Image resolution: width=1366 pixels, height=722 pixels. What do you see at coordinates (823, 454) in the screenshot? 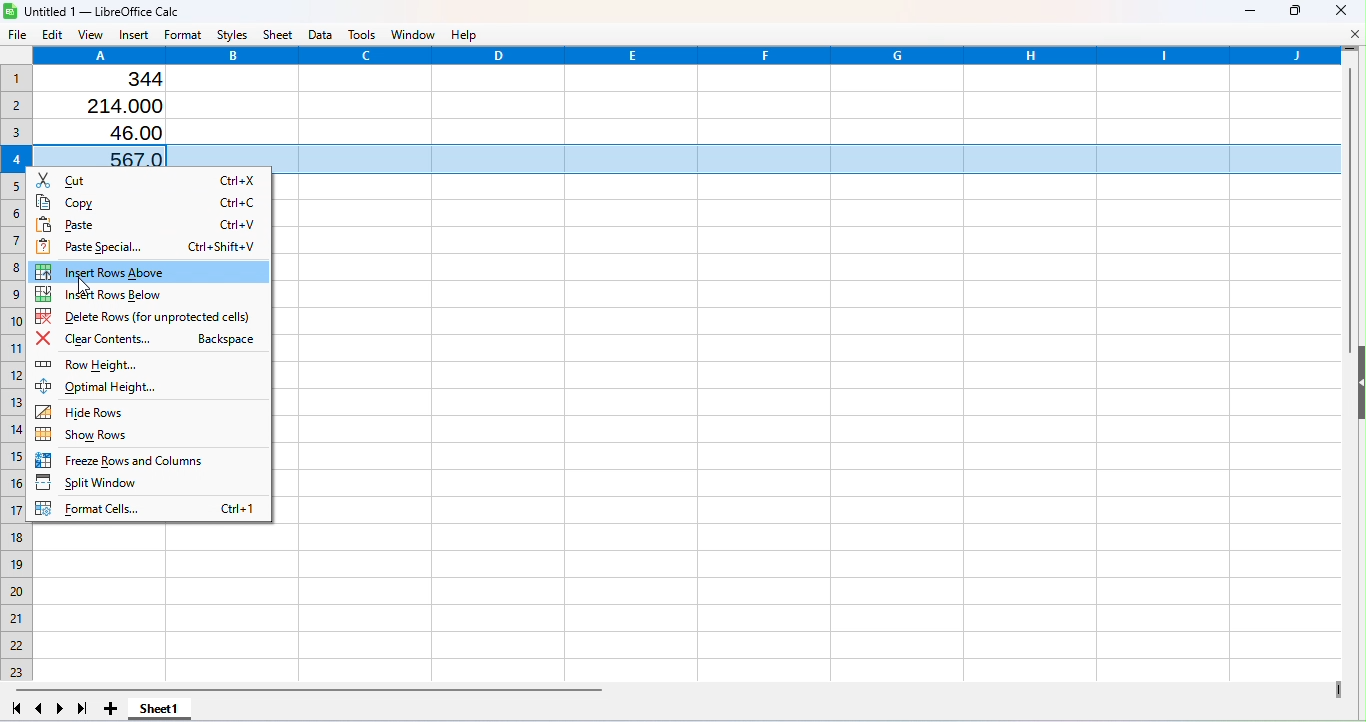
I see `Cells` at bounding box center [823, 454].